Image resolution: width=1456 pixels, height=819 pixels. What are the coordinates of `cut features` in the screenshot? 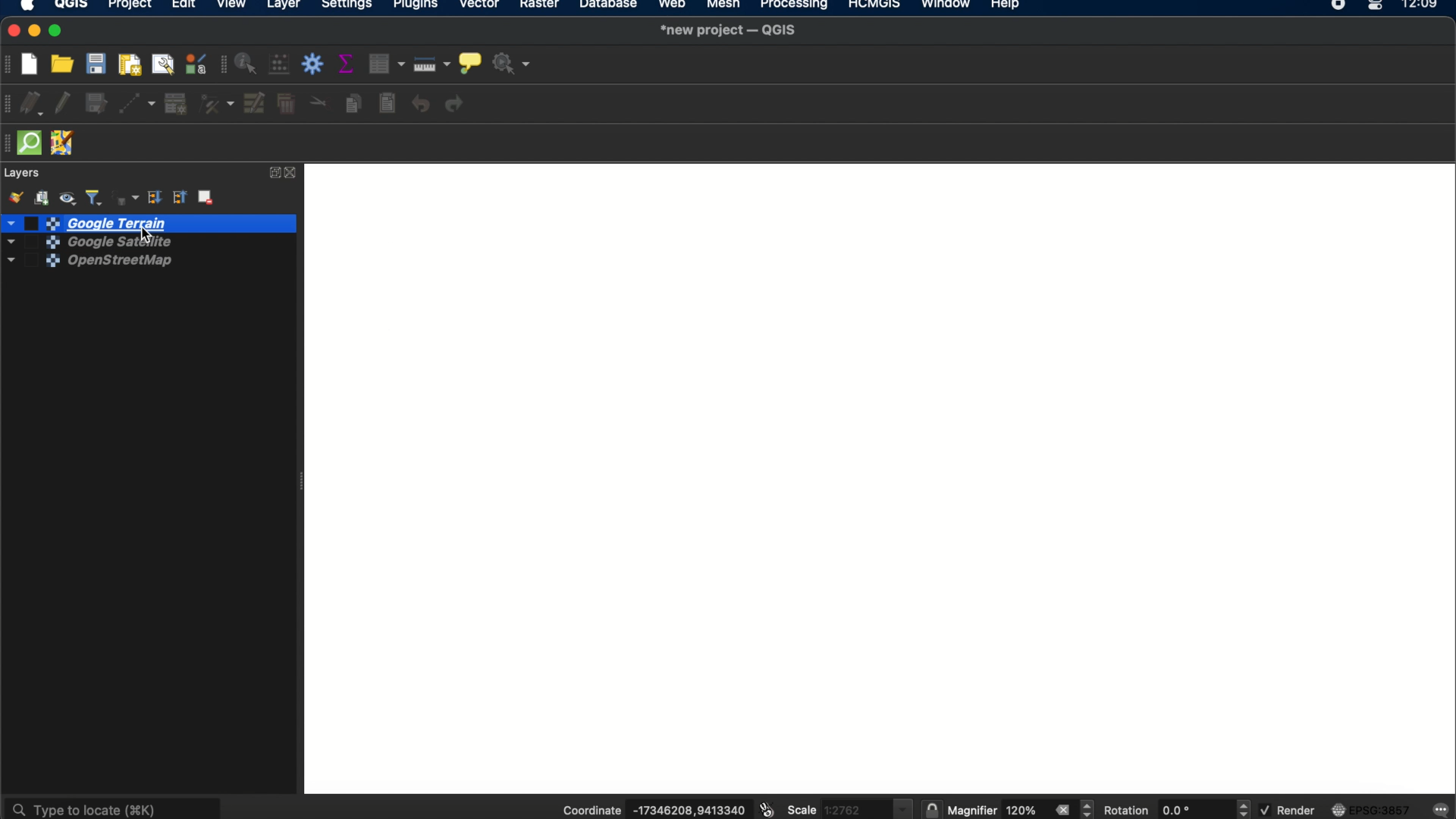 It's located at (318, 102).